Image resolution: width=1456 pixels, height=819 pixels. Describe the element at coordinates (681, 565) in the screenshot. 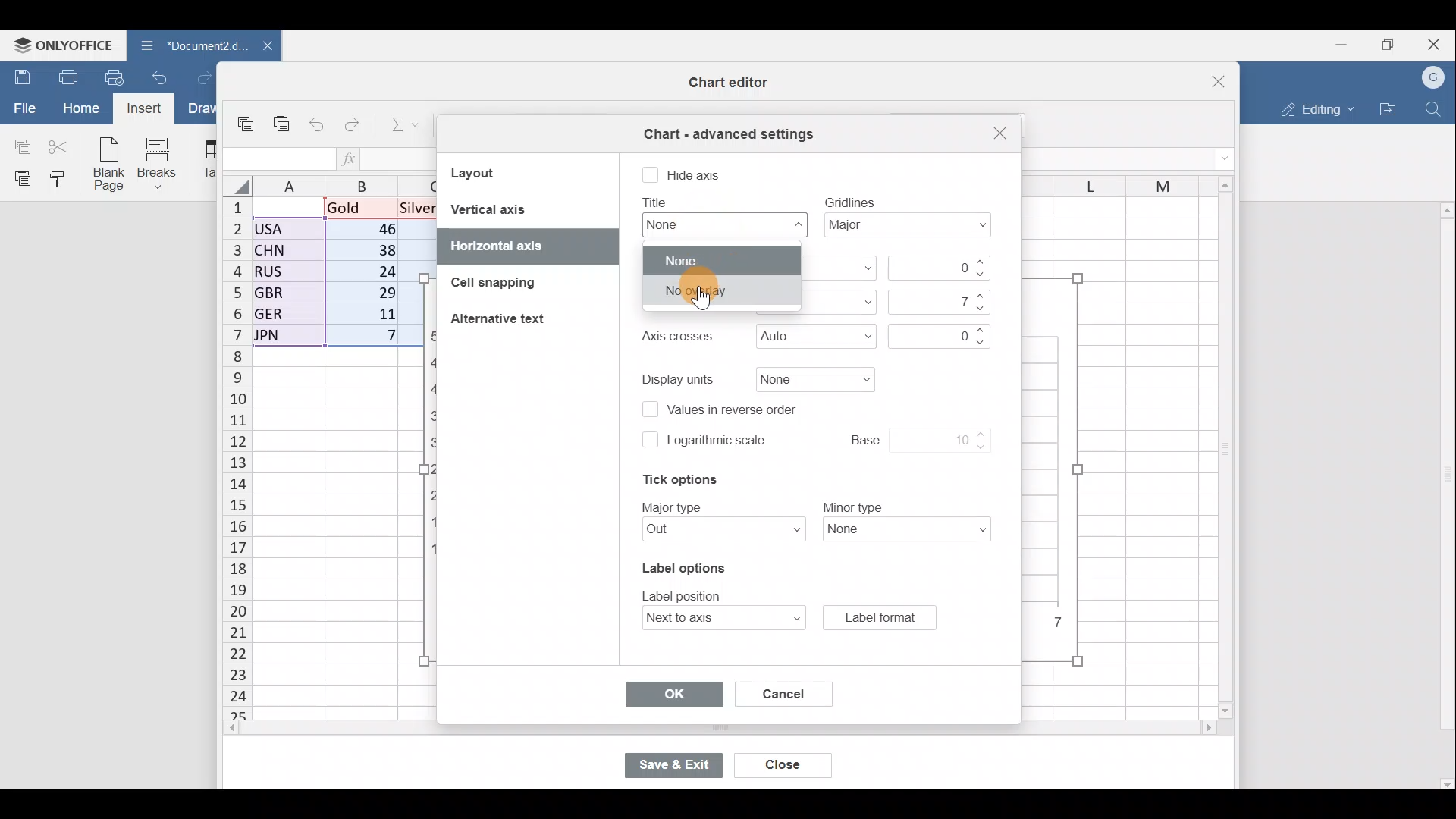

I see `Label options` at that location.